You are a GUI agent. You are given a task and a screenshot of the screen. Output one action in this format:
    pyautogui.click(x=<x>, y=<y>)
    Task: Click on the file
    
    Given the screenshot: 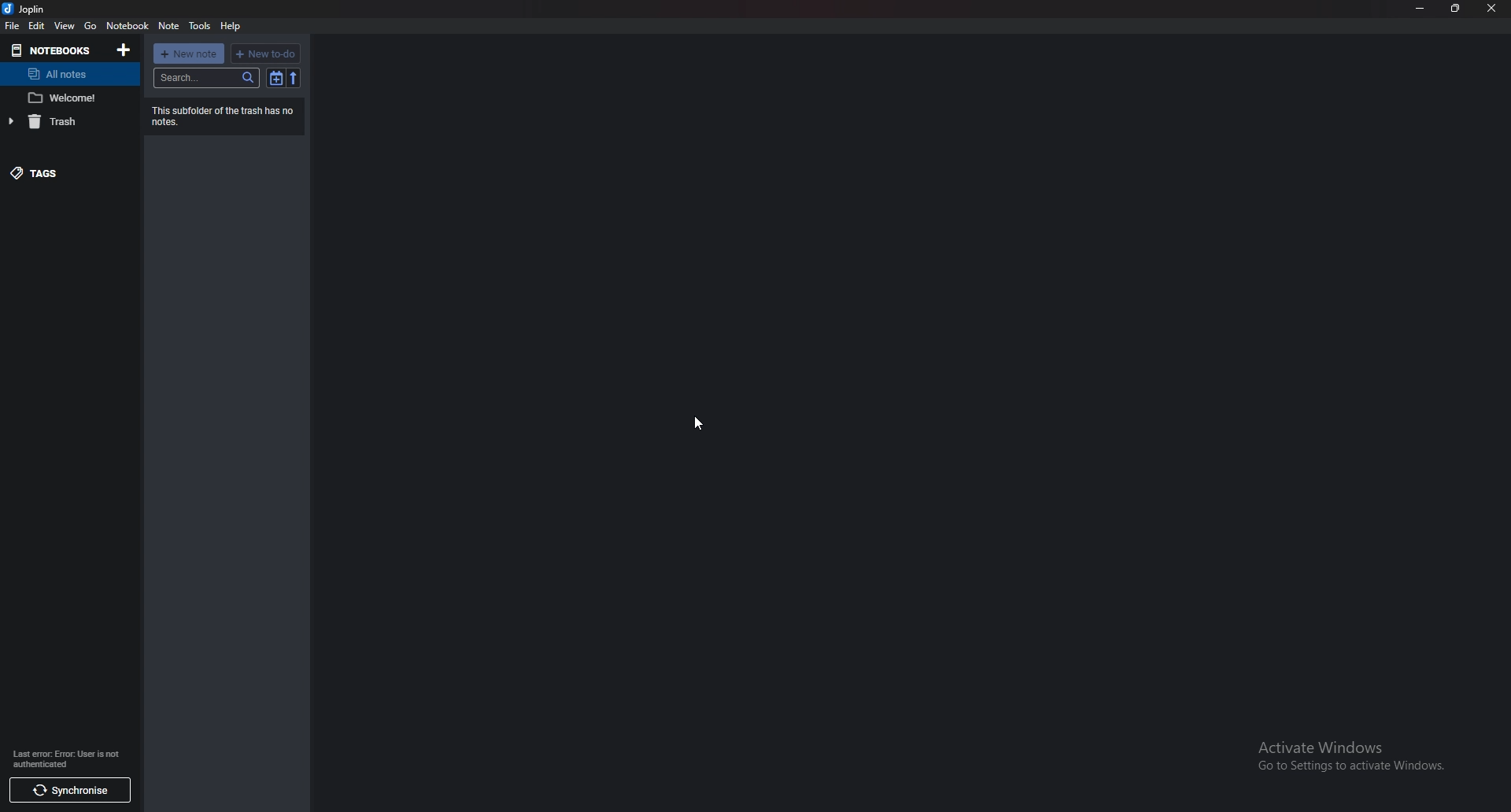 What is the action you would take?
    pyautogui.click(x=13, y=26)
    